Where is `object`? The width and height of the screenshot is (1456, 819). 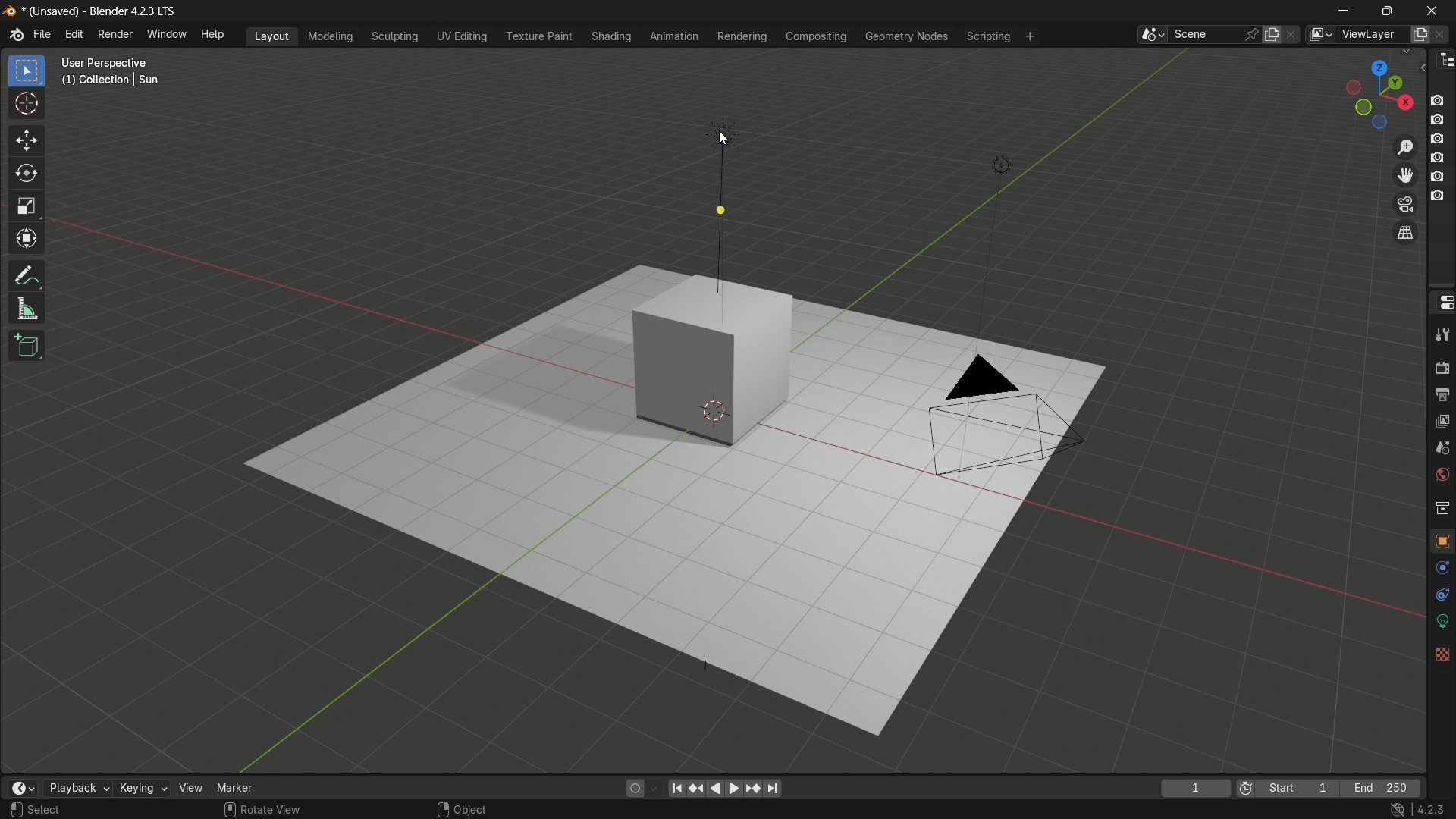 object is located at coordinates (472, 810).